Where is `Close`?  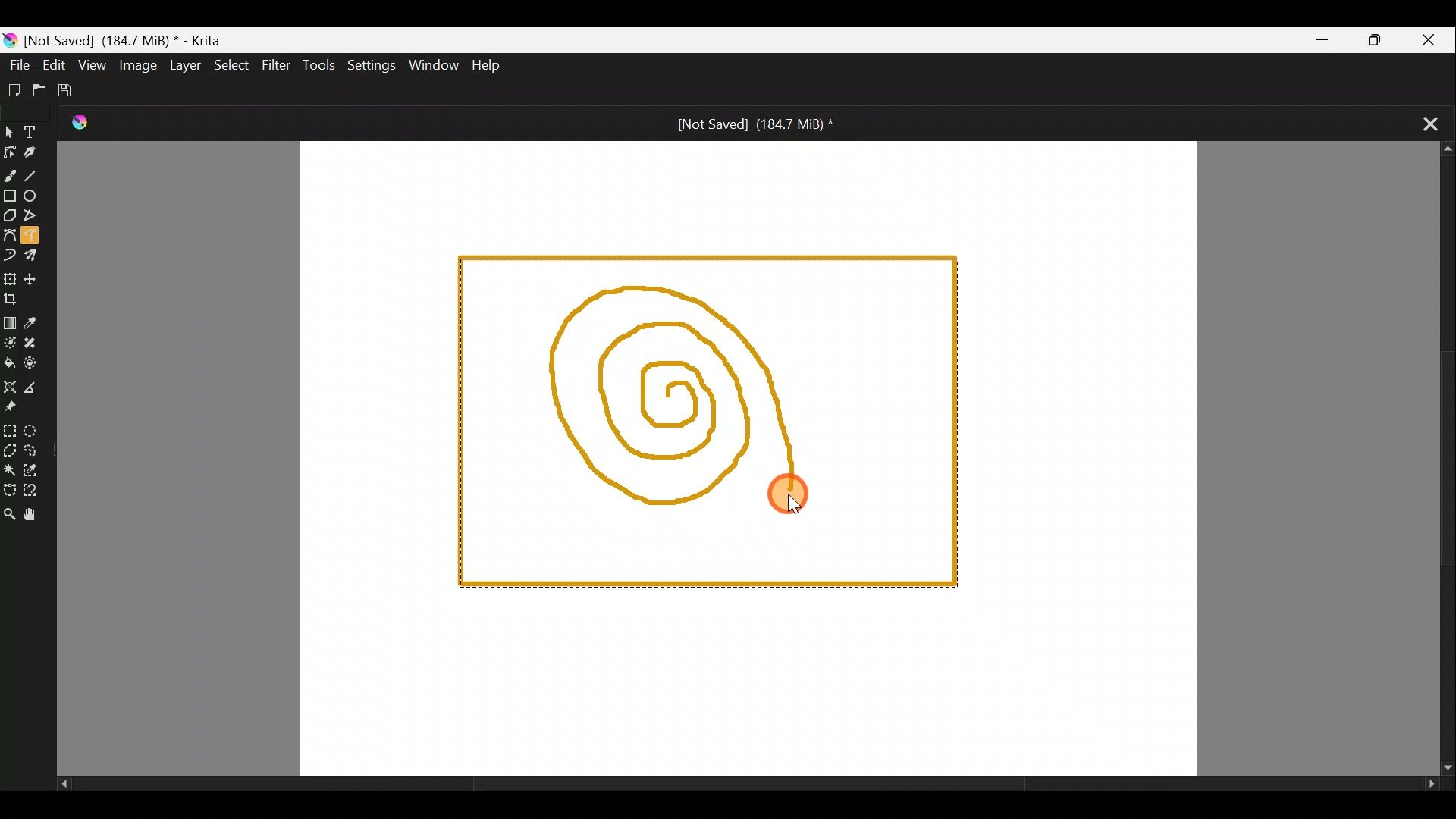 Close is located at coordinates (1429, 39).